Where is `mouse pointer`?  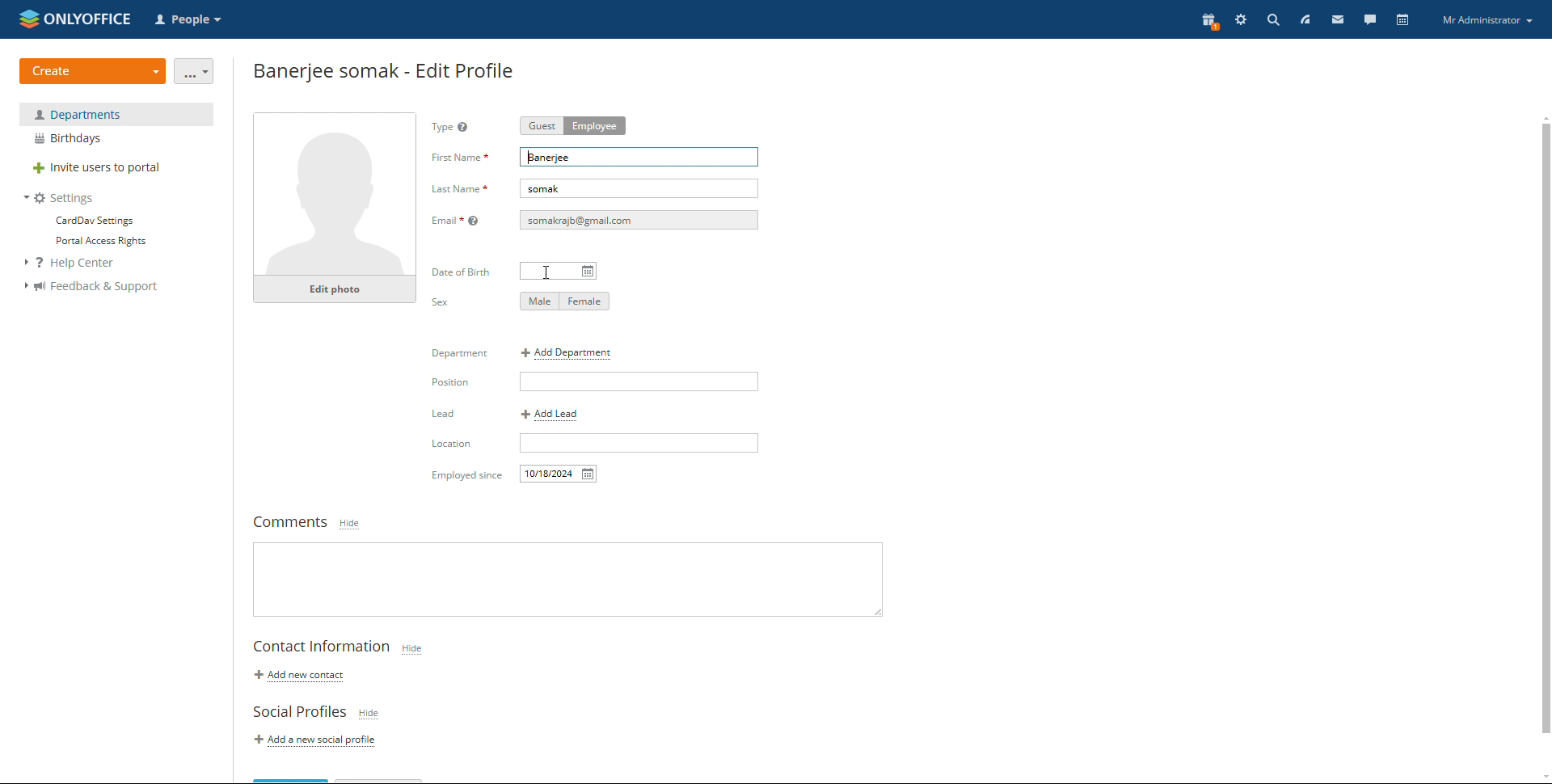 mouse pointer is located at coordinates (552, 272).